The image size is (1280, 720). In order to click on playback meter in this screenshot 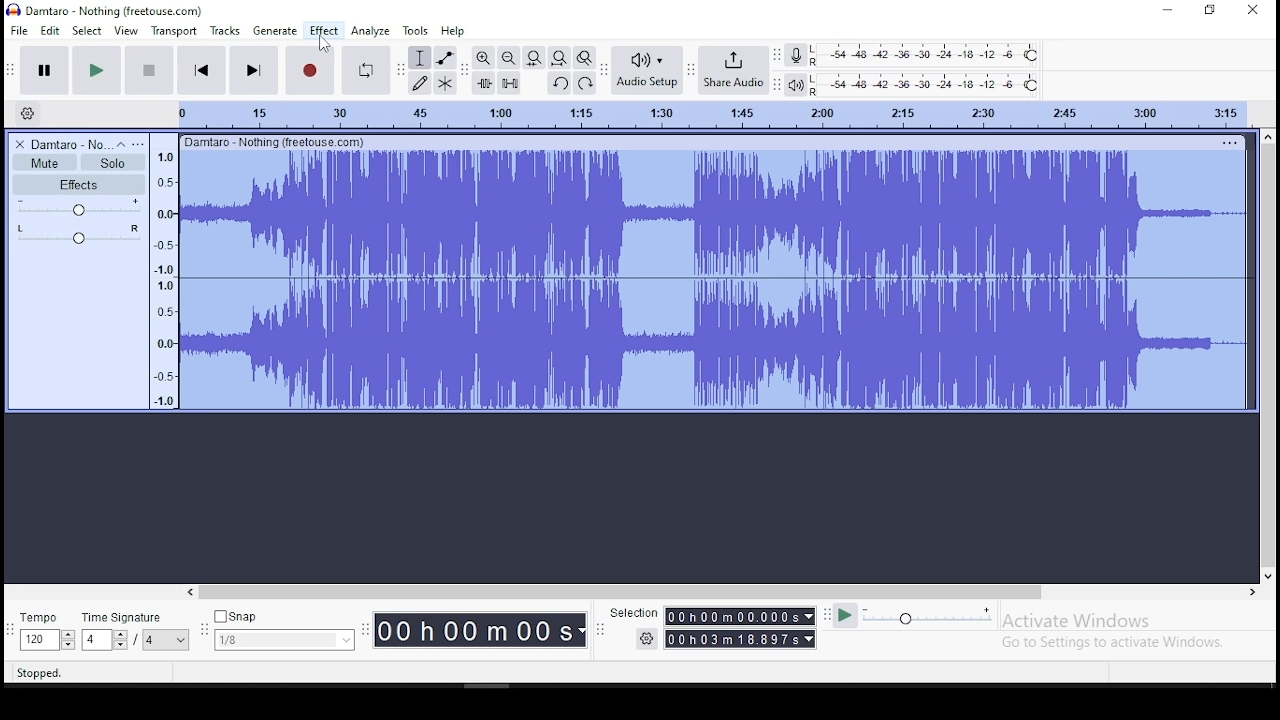, I will do `click(794, 85)`.